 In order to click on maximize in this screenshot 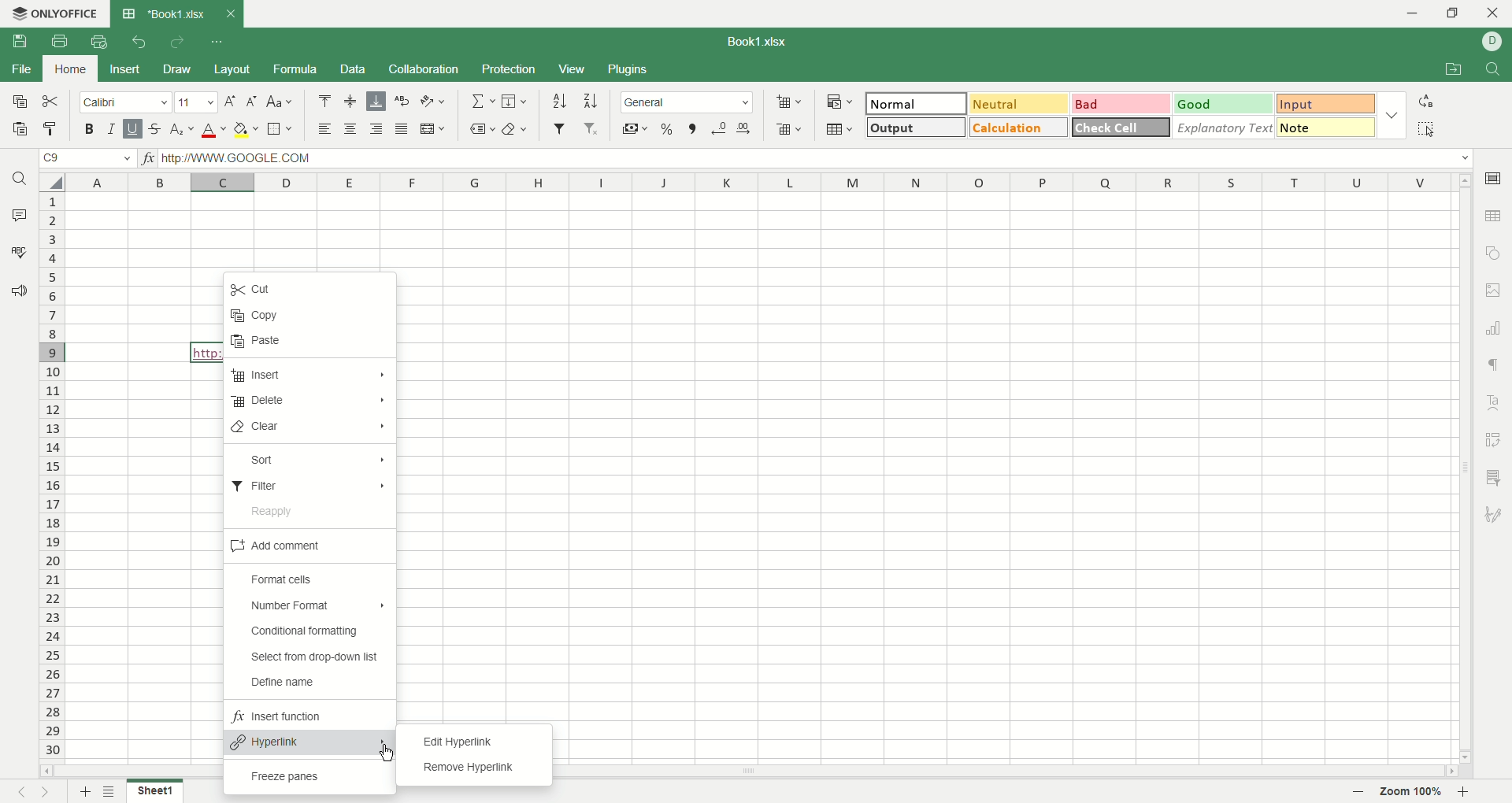, I will do `click(1453, 13)`.